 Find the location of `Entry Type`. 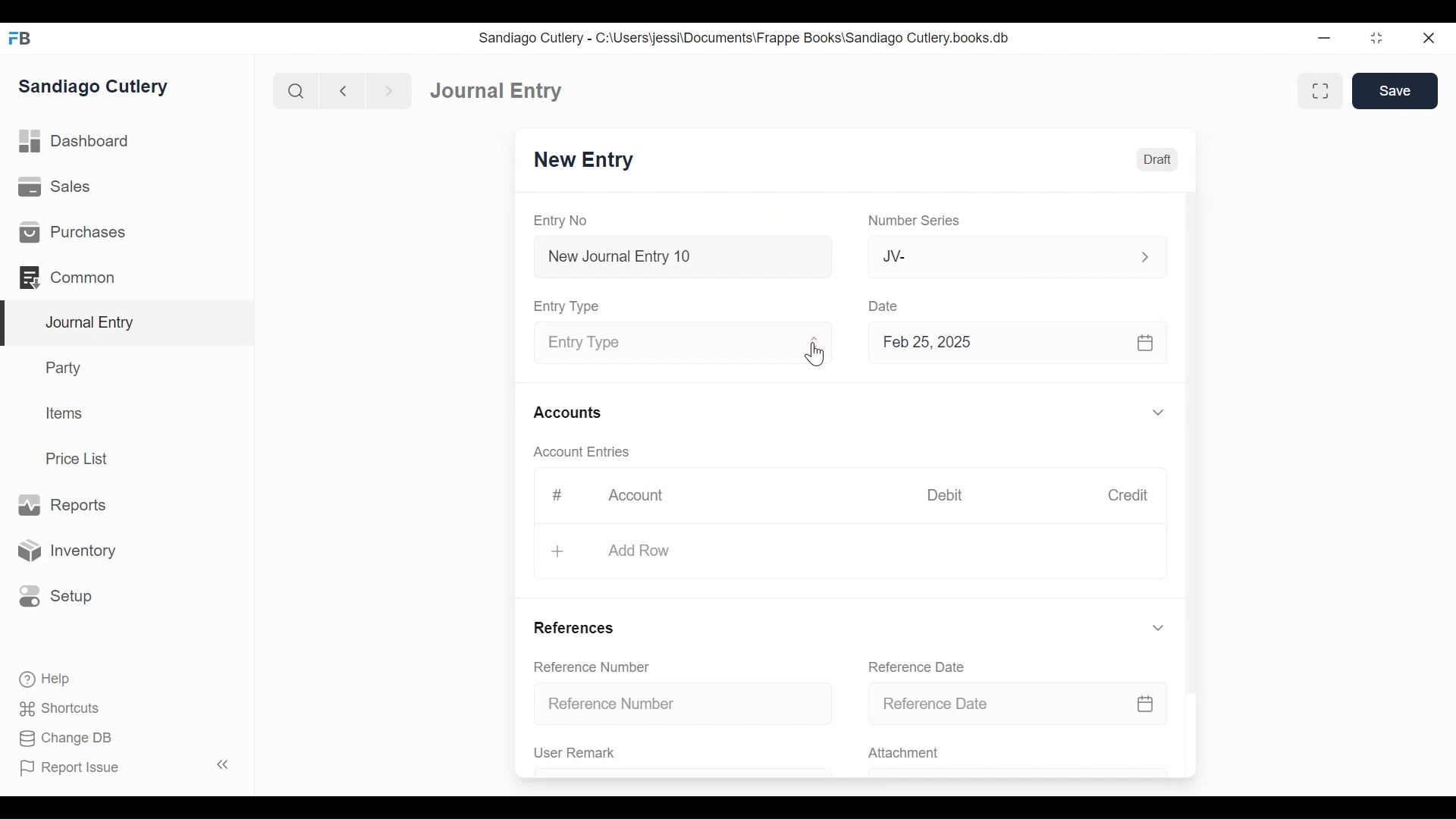

Entry Type is located at coordinates (571, 306).